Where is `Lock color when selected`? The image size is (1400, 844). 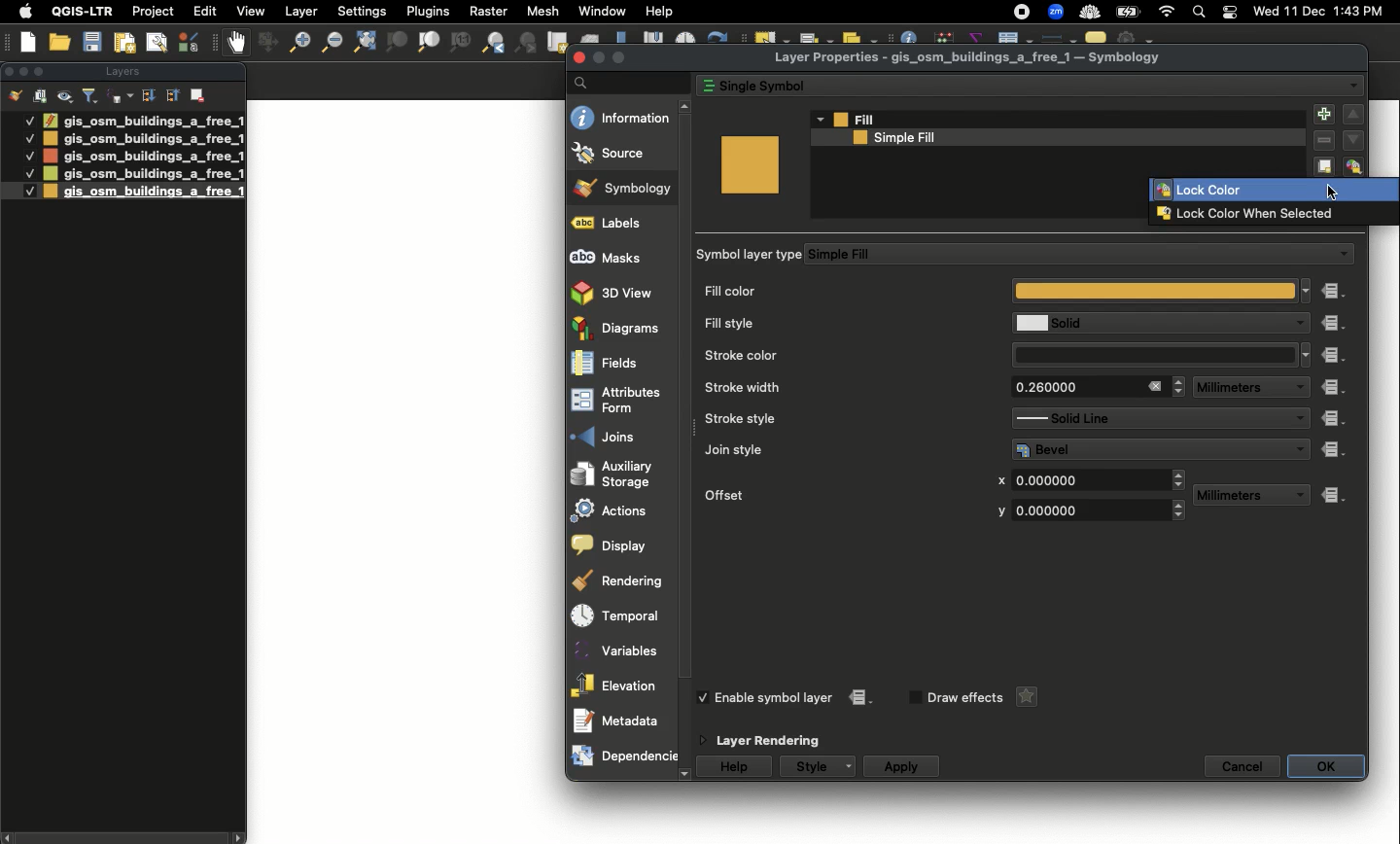 Lock color when selected is located at coordinates (1271, 214).